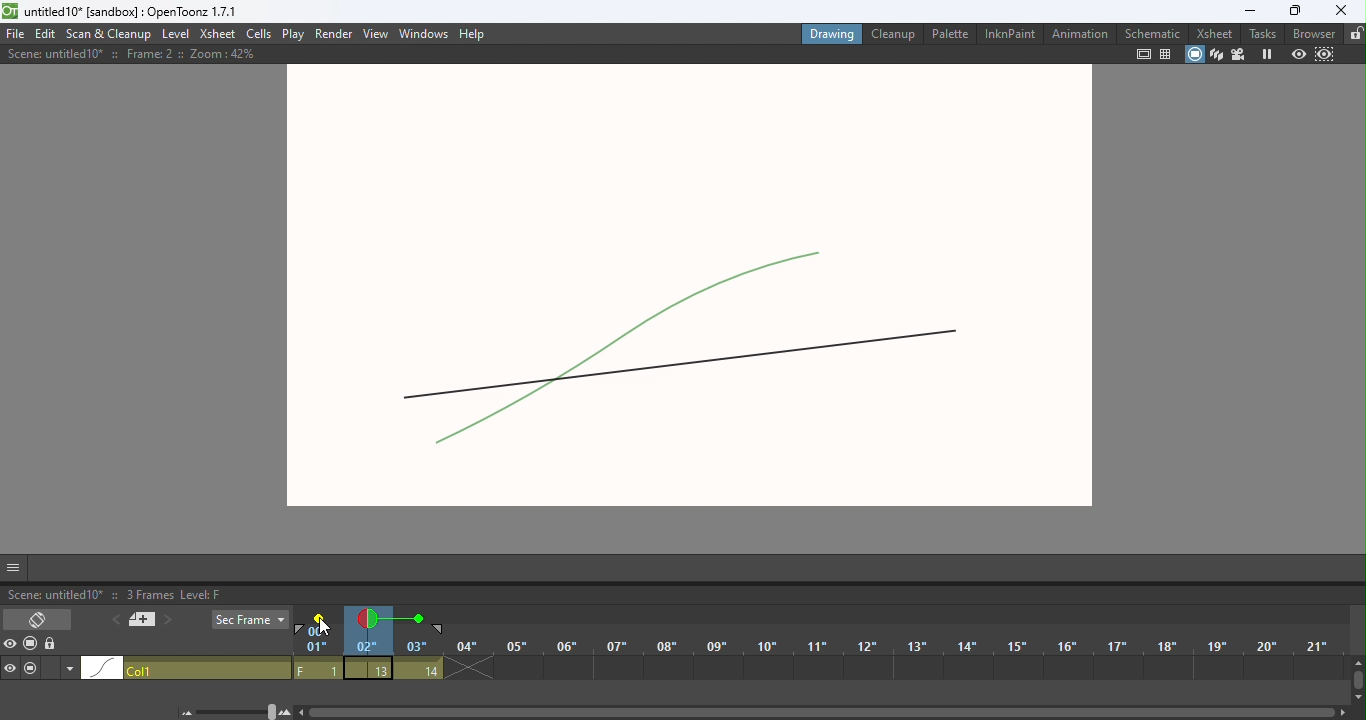 Image resolution: width=1366 pixels, height=720 pixels. I want to click on lock toggle, so click(52, 647).